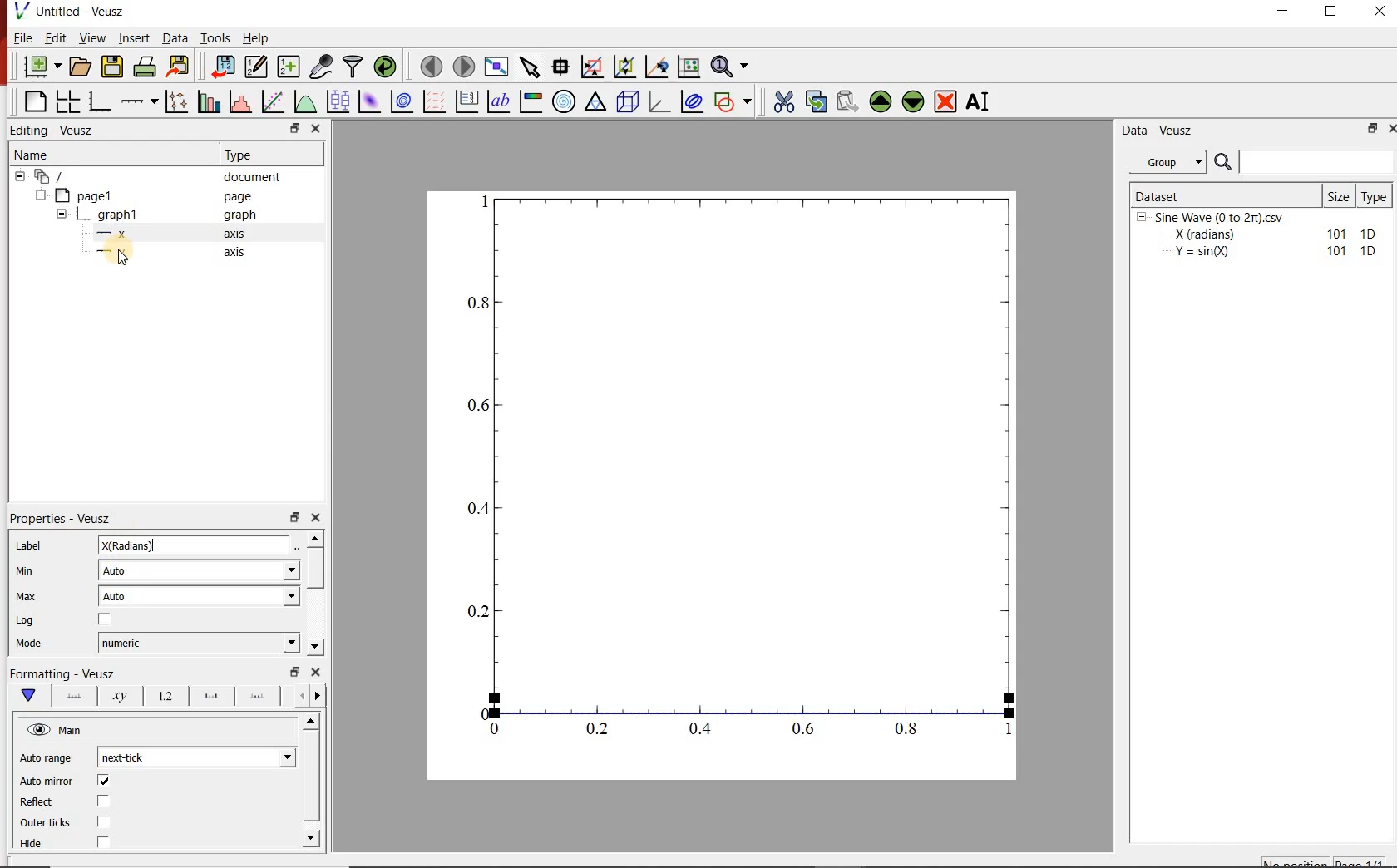  Describe the element at coordinates (55, 131) in the screenshot. I see `Editing - Veusz` at that location.